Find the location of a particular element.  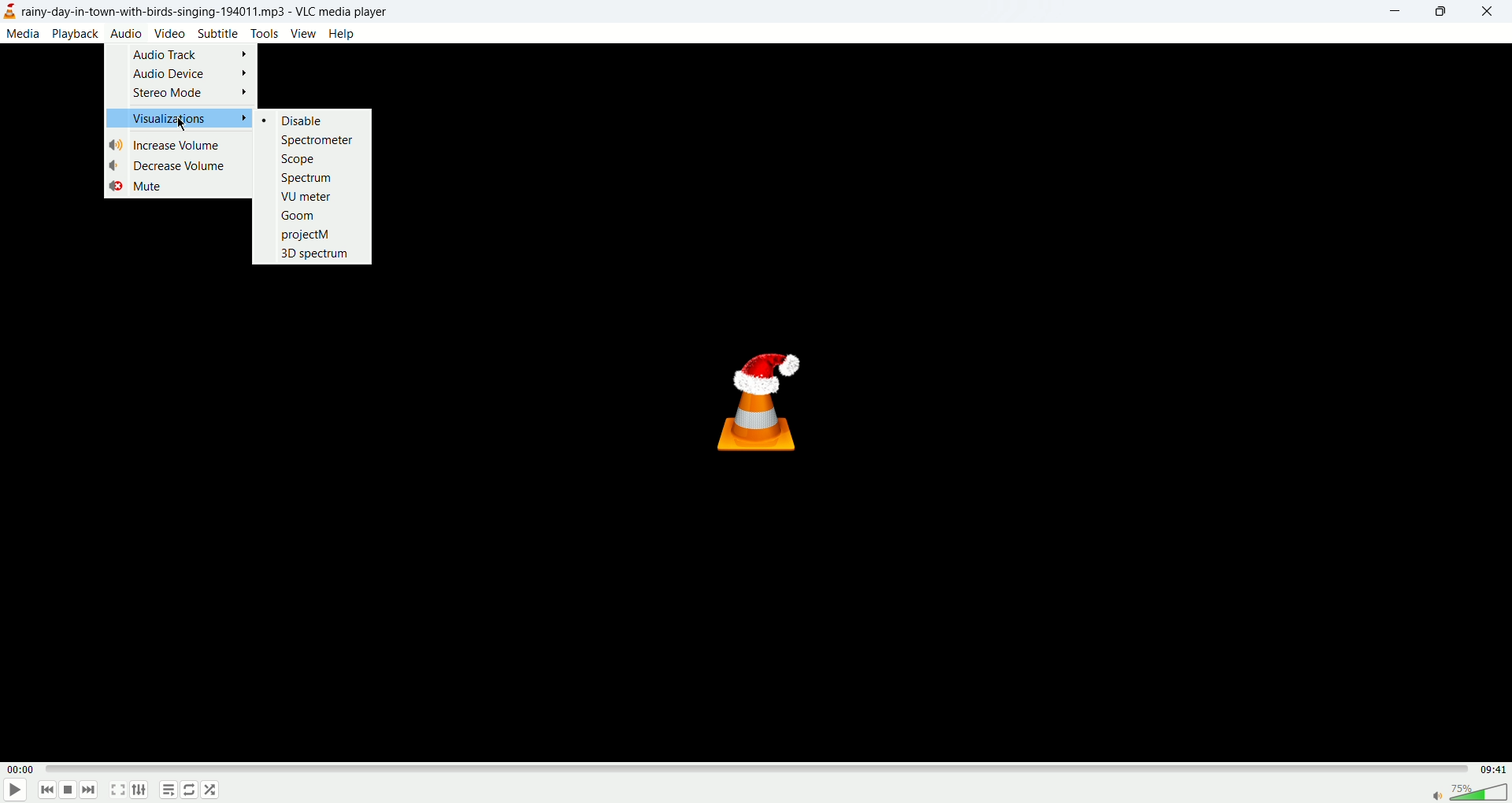

Disable is located at coordinates (306, 122).